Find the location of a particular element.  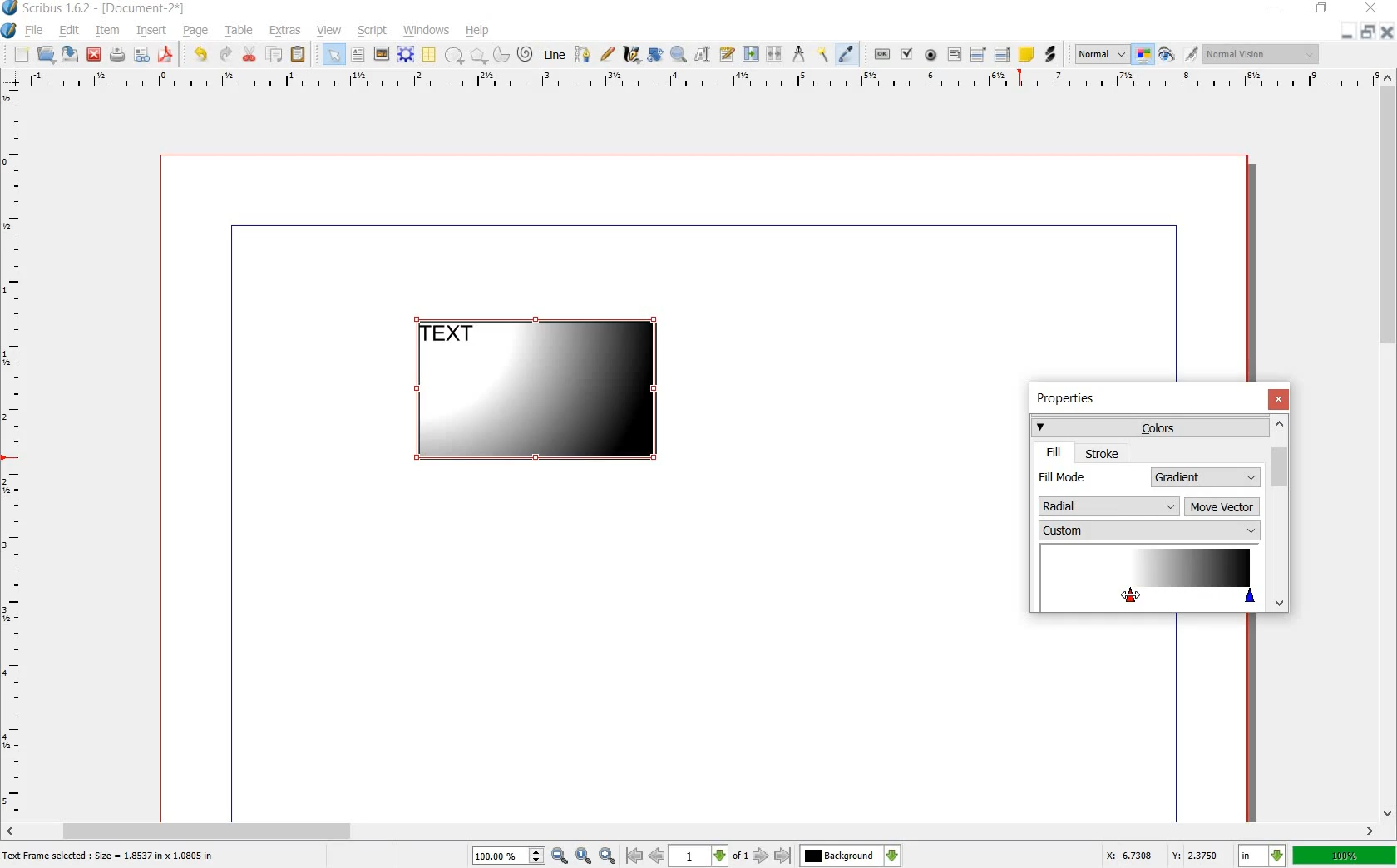

zoom to is located at coordinates (584, 856).